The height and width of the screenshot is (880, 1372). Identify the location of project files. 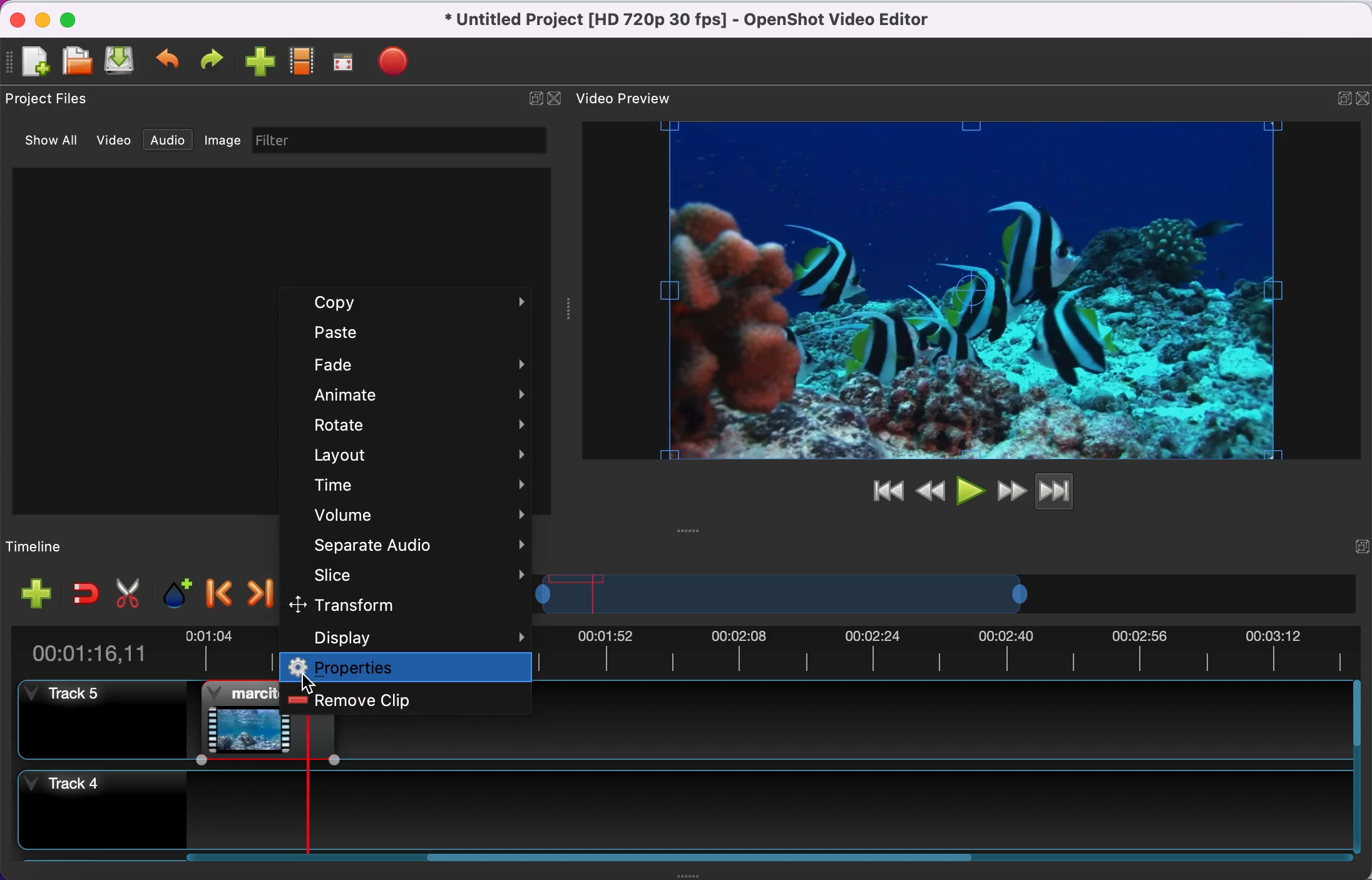
(58, 99).